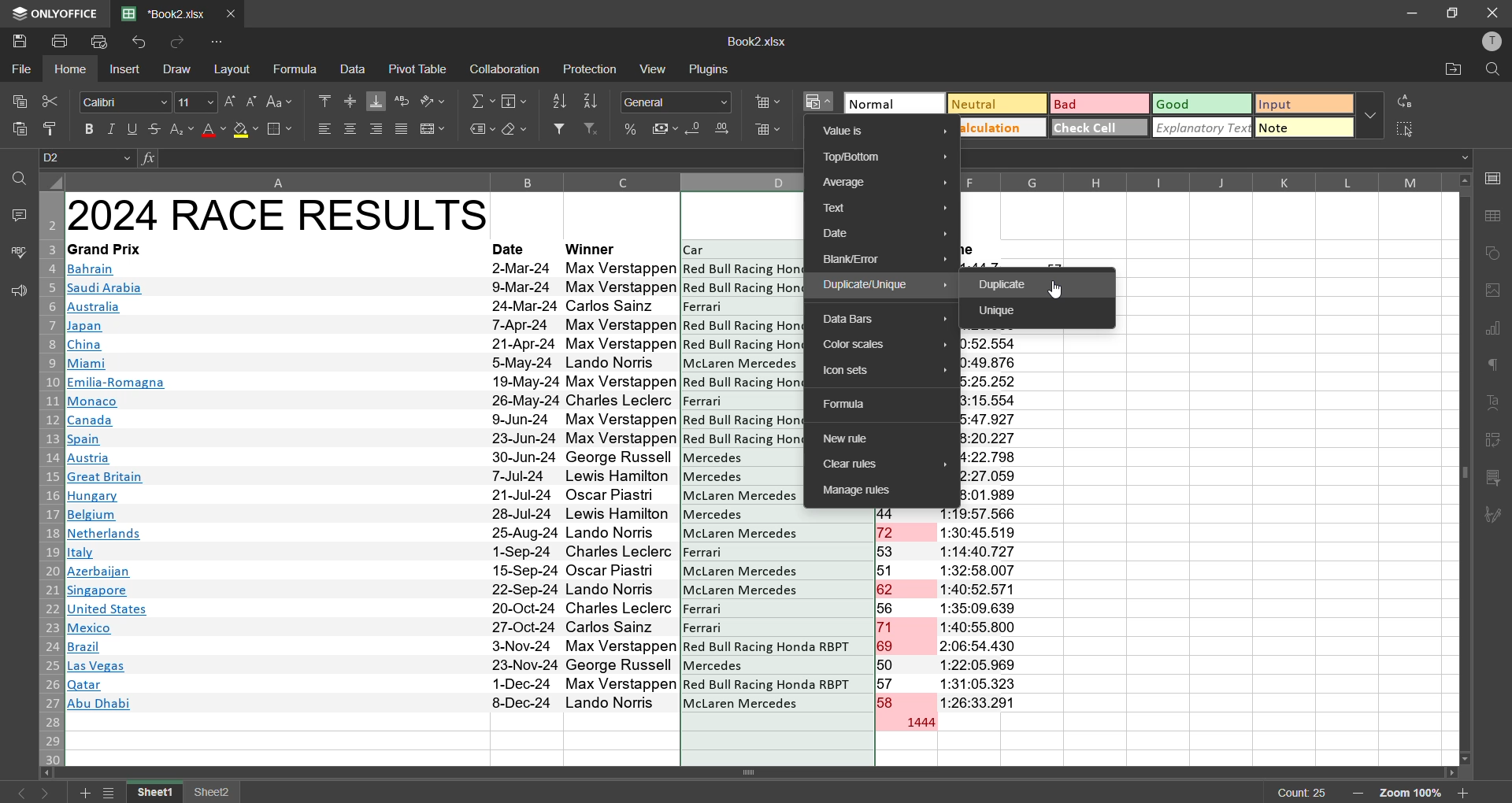 Image resolution: width=1512 pixels, height=803 pixels. I want to click on italic, so click(113, 129).